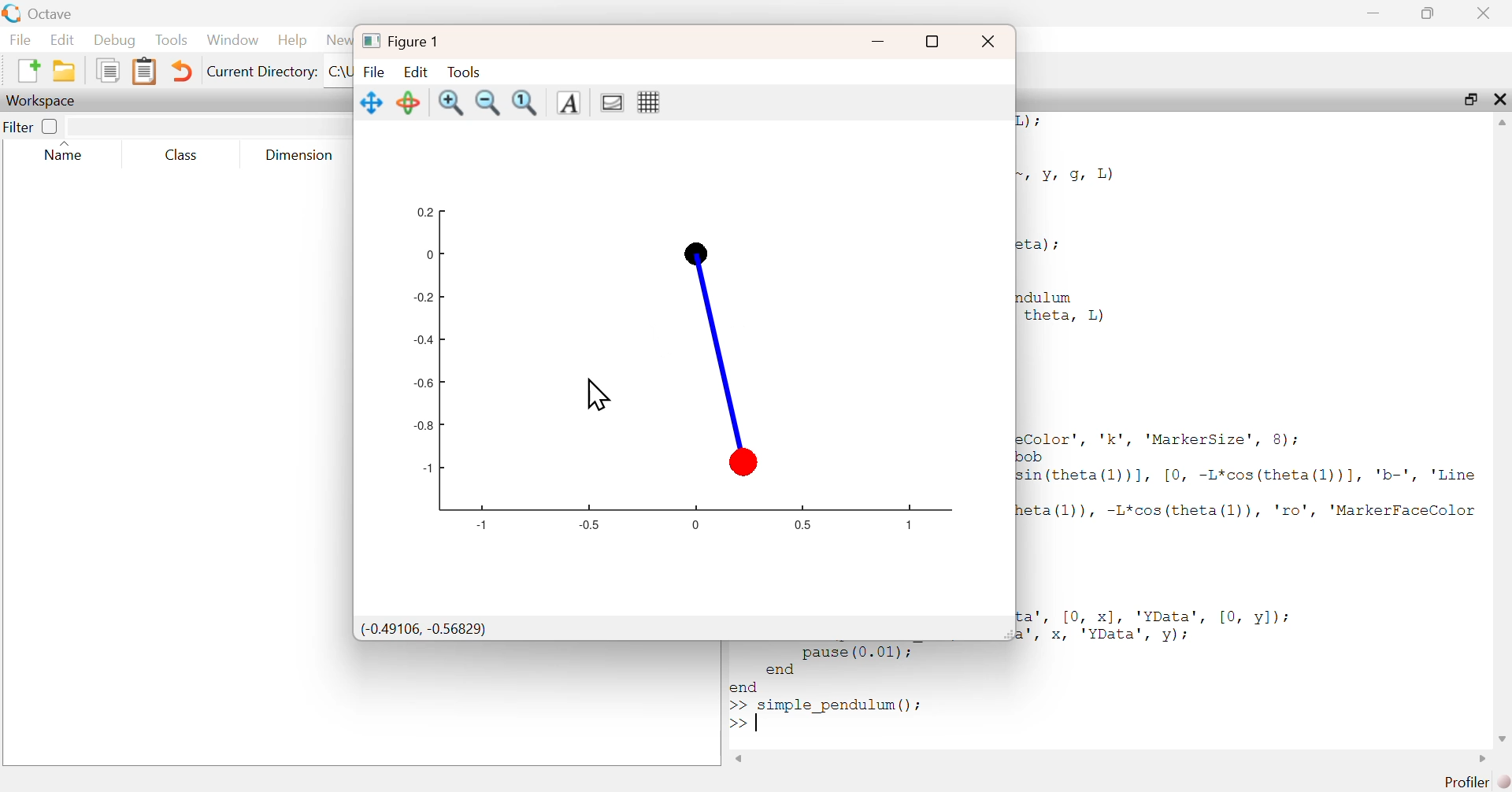 The height and width of the screenshot is (792, 1512). What do you see at coordinates (759, 725) in the screenshot?
I see `Tap text` at bounding box center [759, 725].